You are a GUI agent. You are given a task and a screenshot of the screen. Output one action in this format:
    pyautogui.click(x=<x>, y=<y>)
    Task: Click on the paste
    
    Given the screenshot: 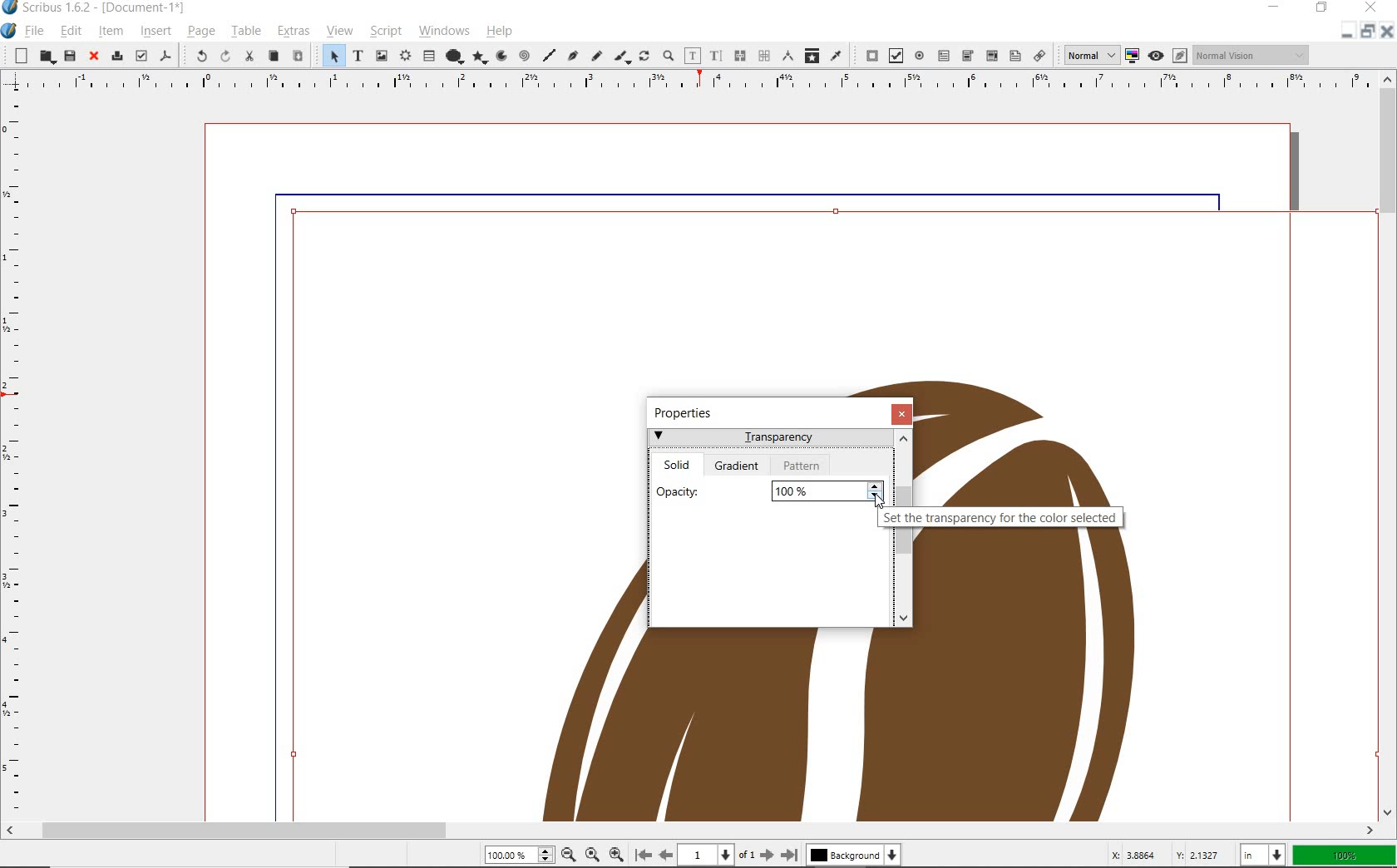 What is the action you would take?
    pyautogui.click(x=297, y=55)
    